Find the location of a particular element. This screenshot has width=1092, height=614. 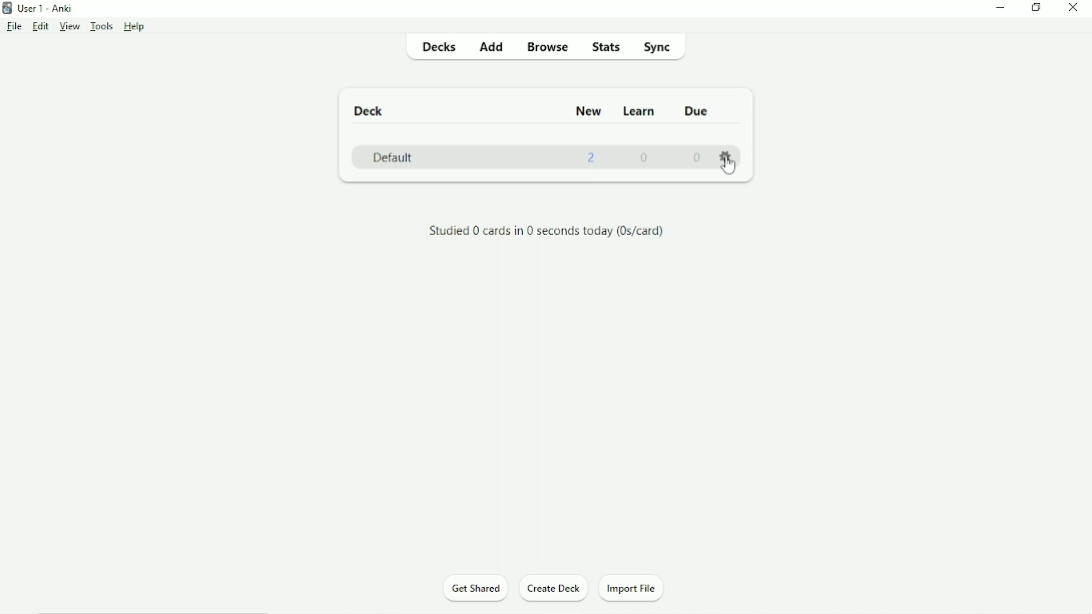

0 is located at coordinates (646, 157).